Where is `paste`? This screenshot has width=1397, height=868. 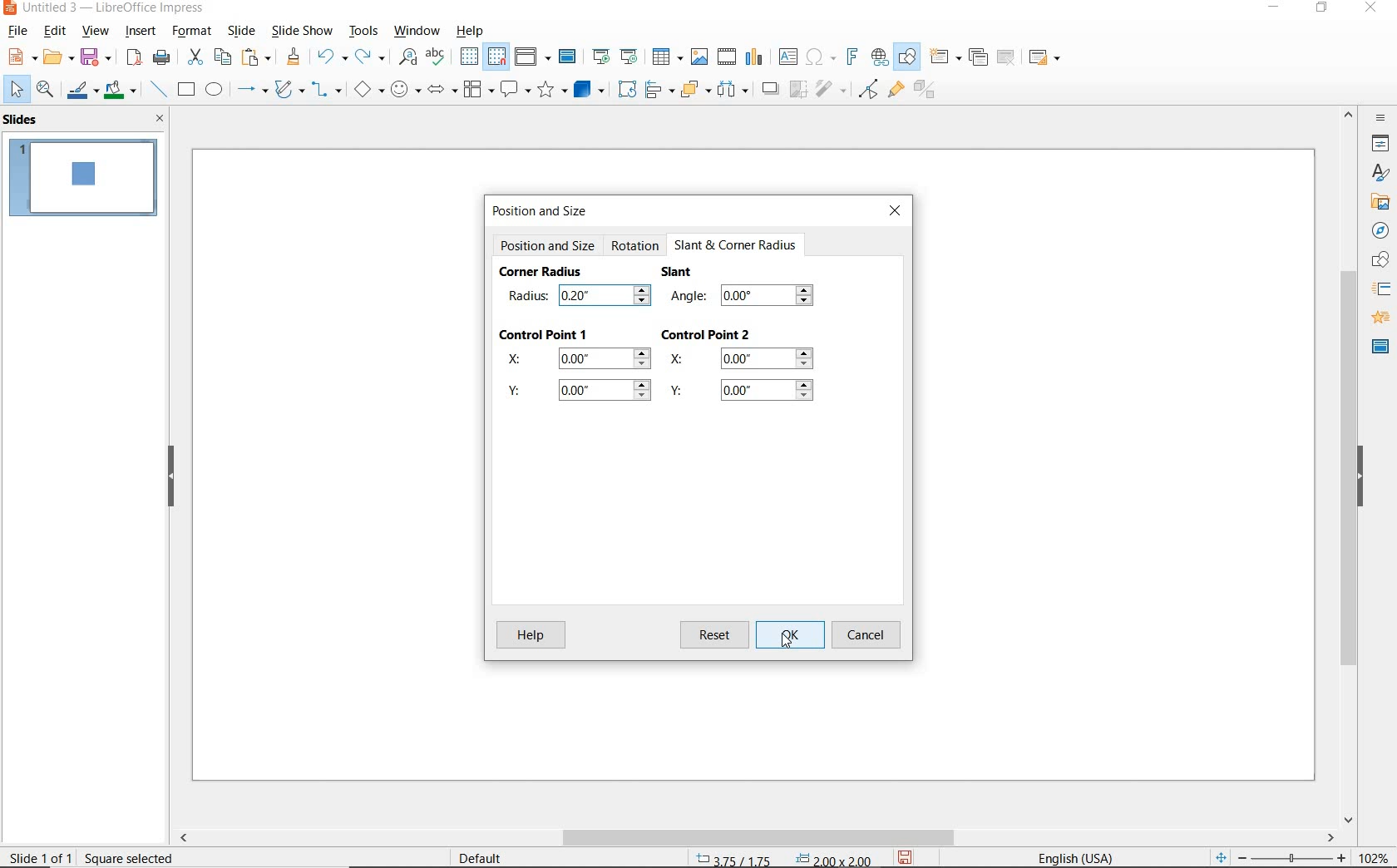 paste is located at coordinates (254, 59).